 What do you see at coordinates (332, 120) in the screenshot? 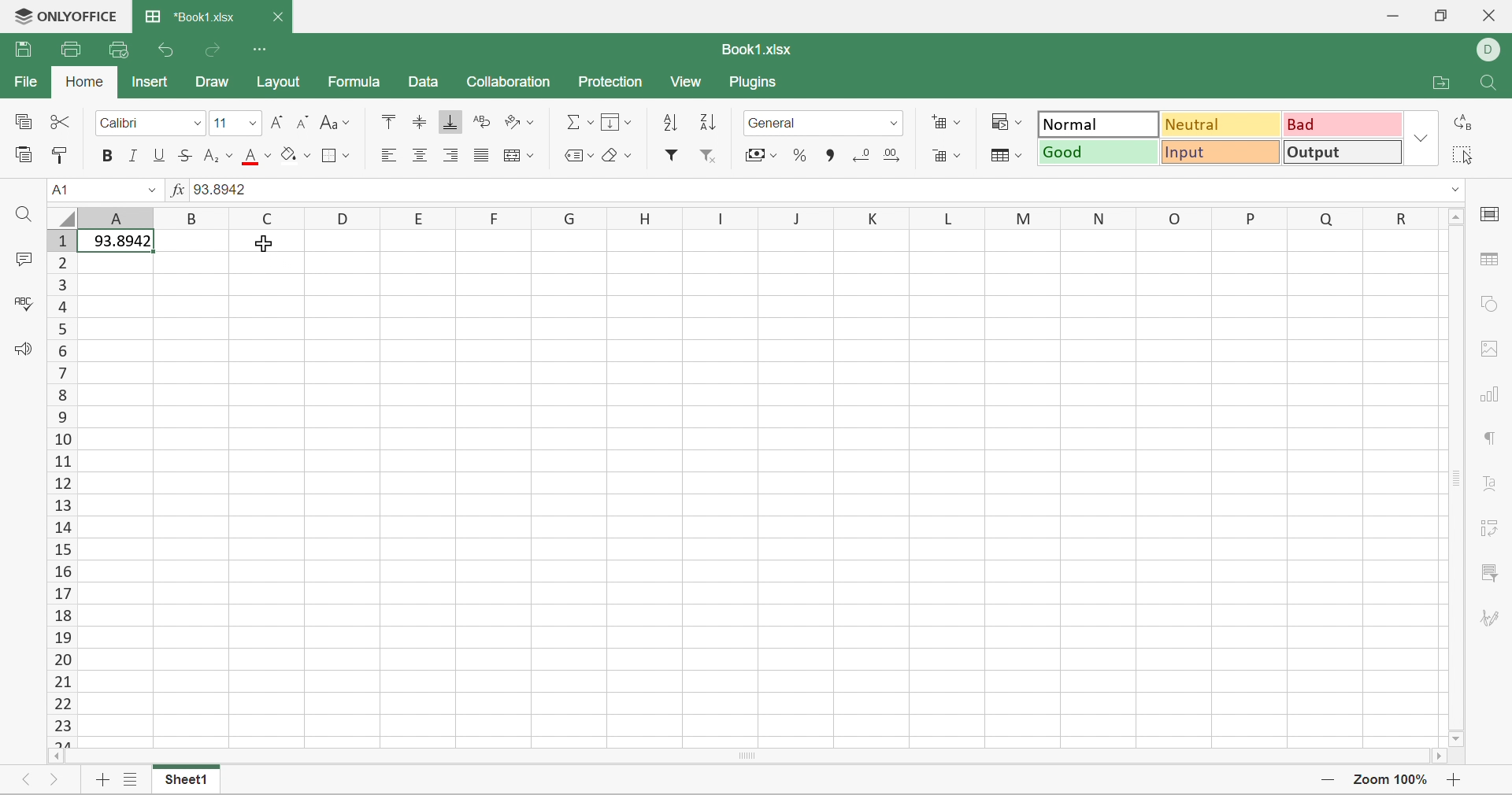
I see `Change case` at bounding box center [332, 120].